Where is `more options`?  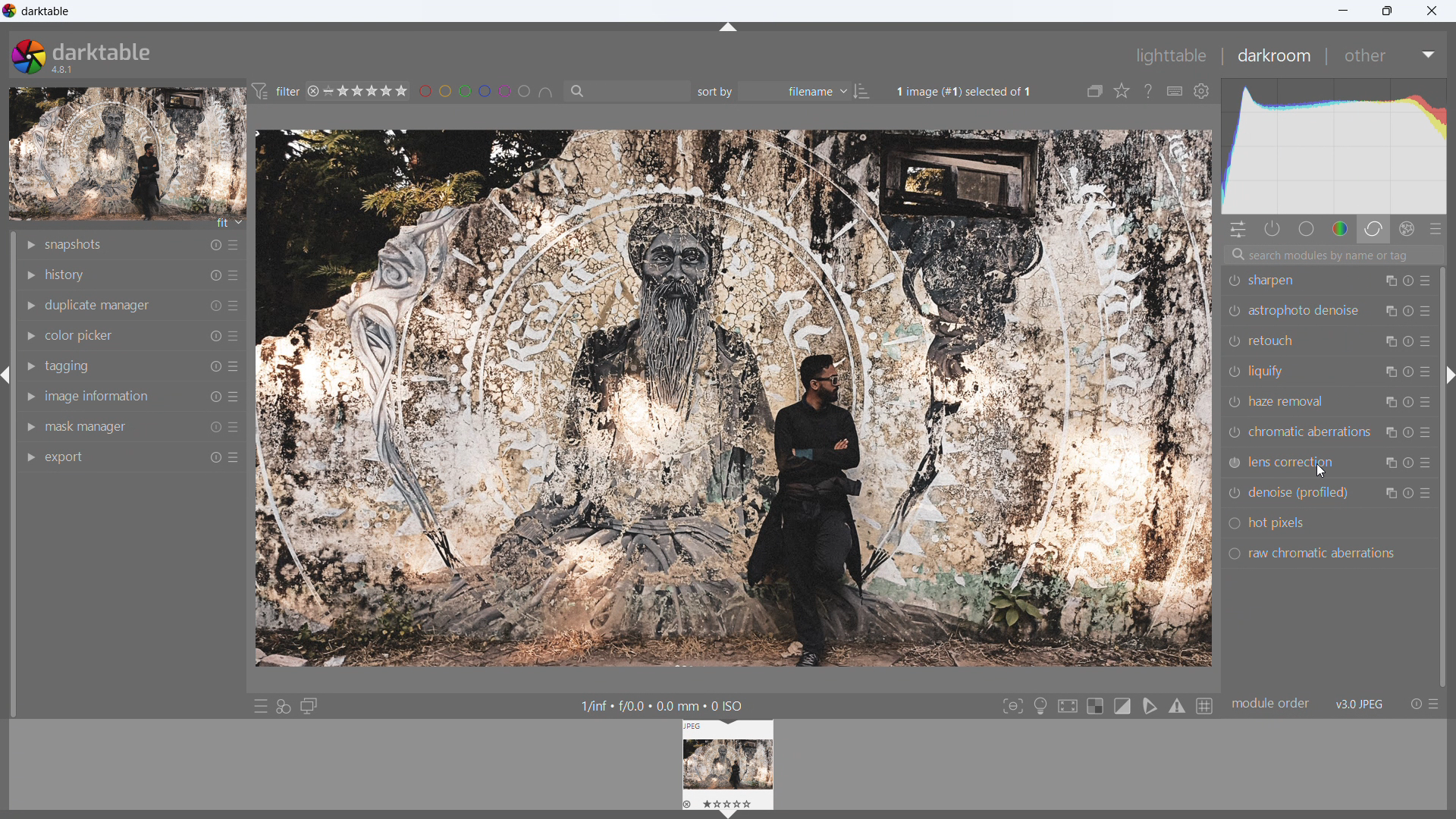
more options is located at coordinates (237, 400).